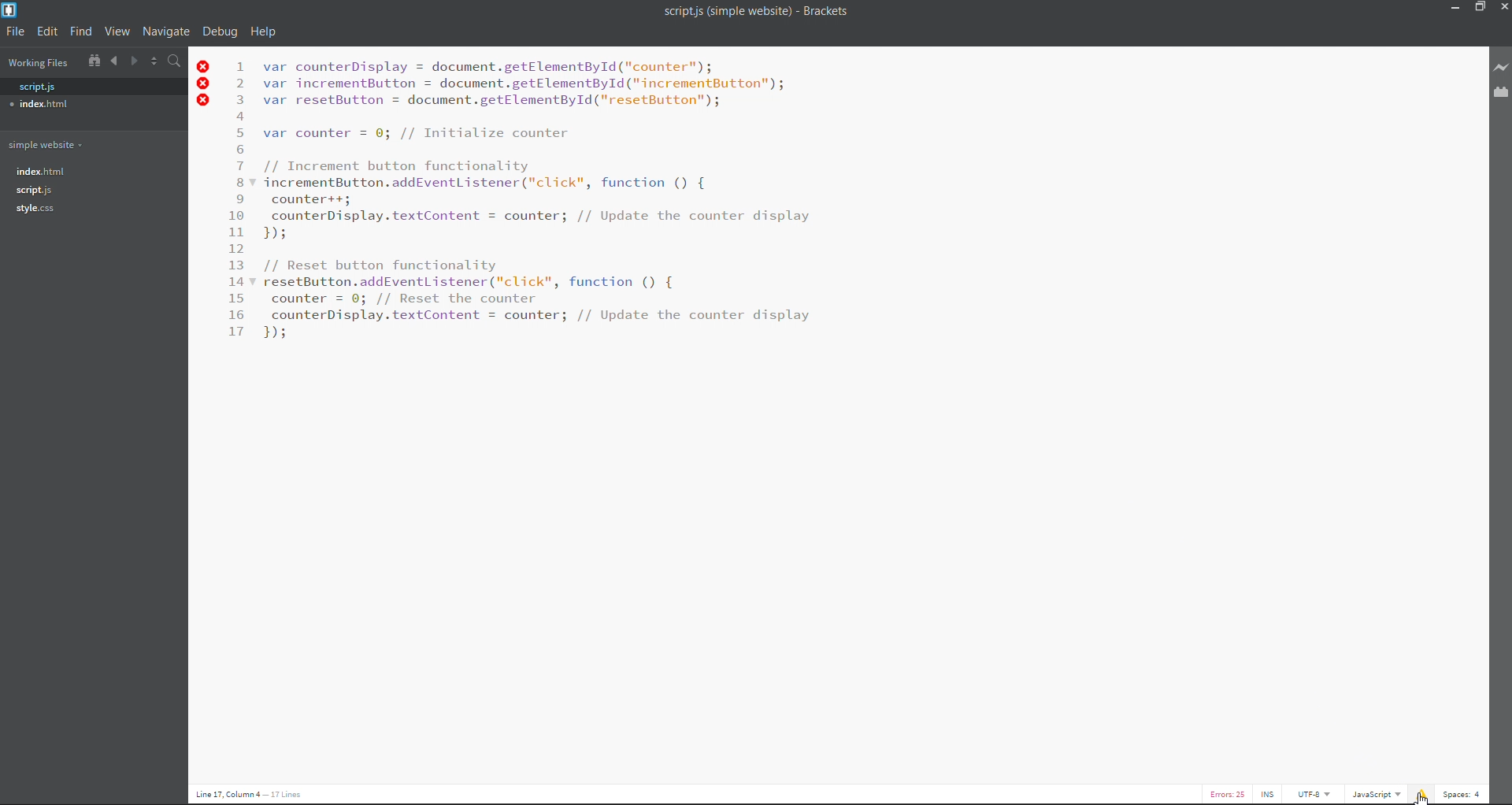  I want to click on file type, so click(1376, 794).